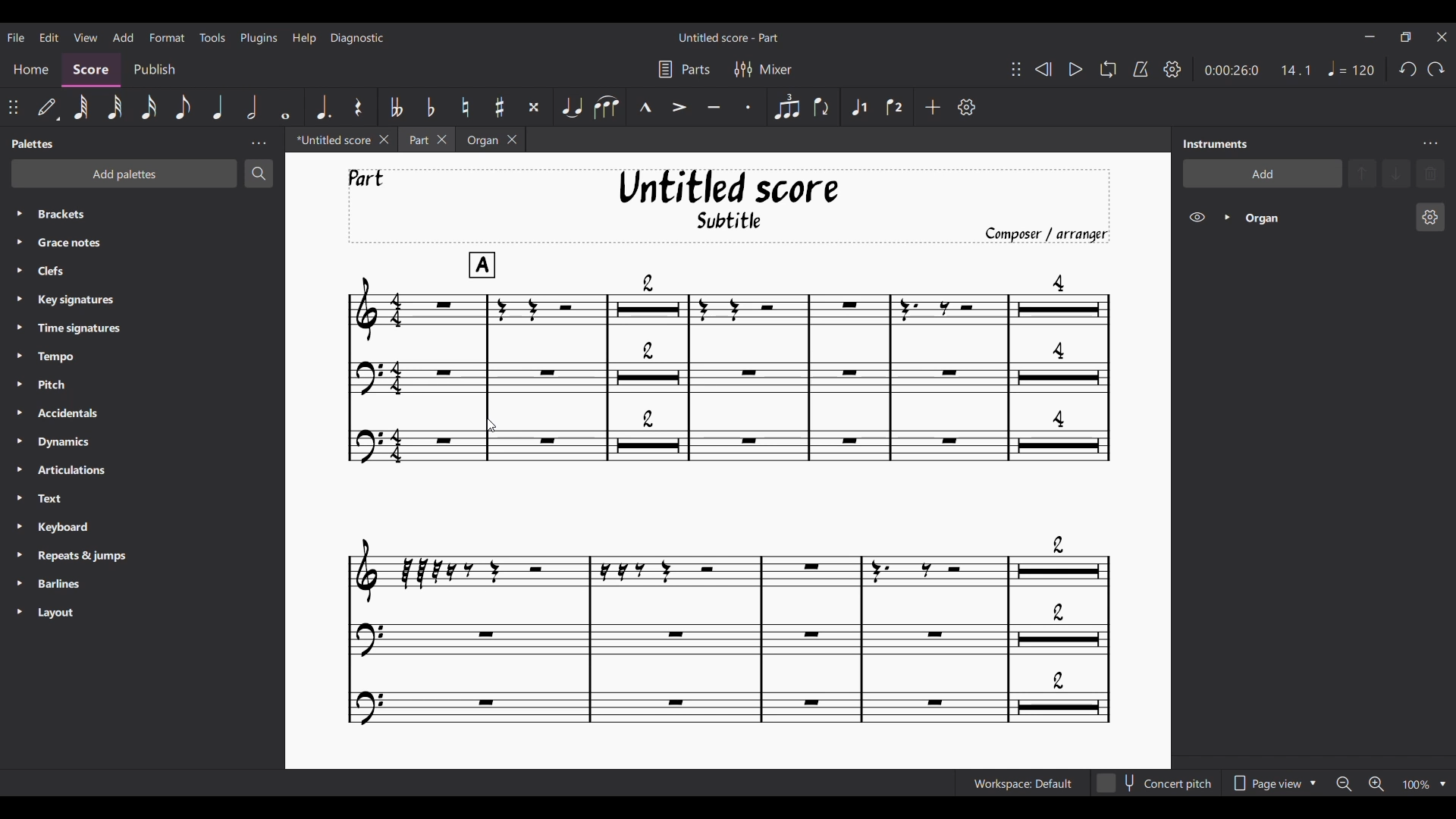 Image resolution: width=1456 pixels, height=819 pixels. Describe the element at coordinates (33, 143) in the screenshot. I see `Panel title` at that location.